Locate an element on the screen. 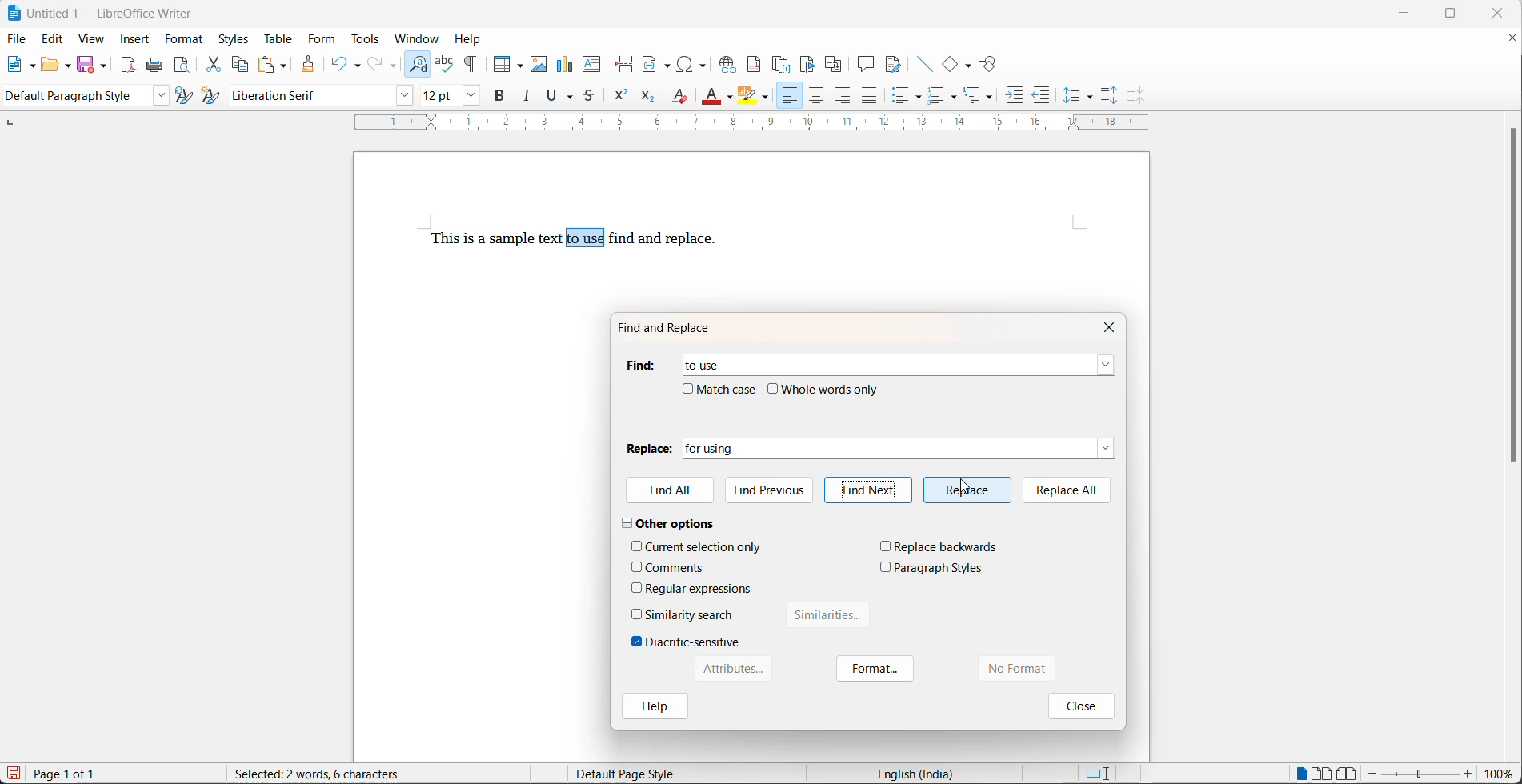 The image size is (1522, 784). scaling is located at coordinates (763, 124).